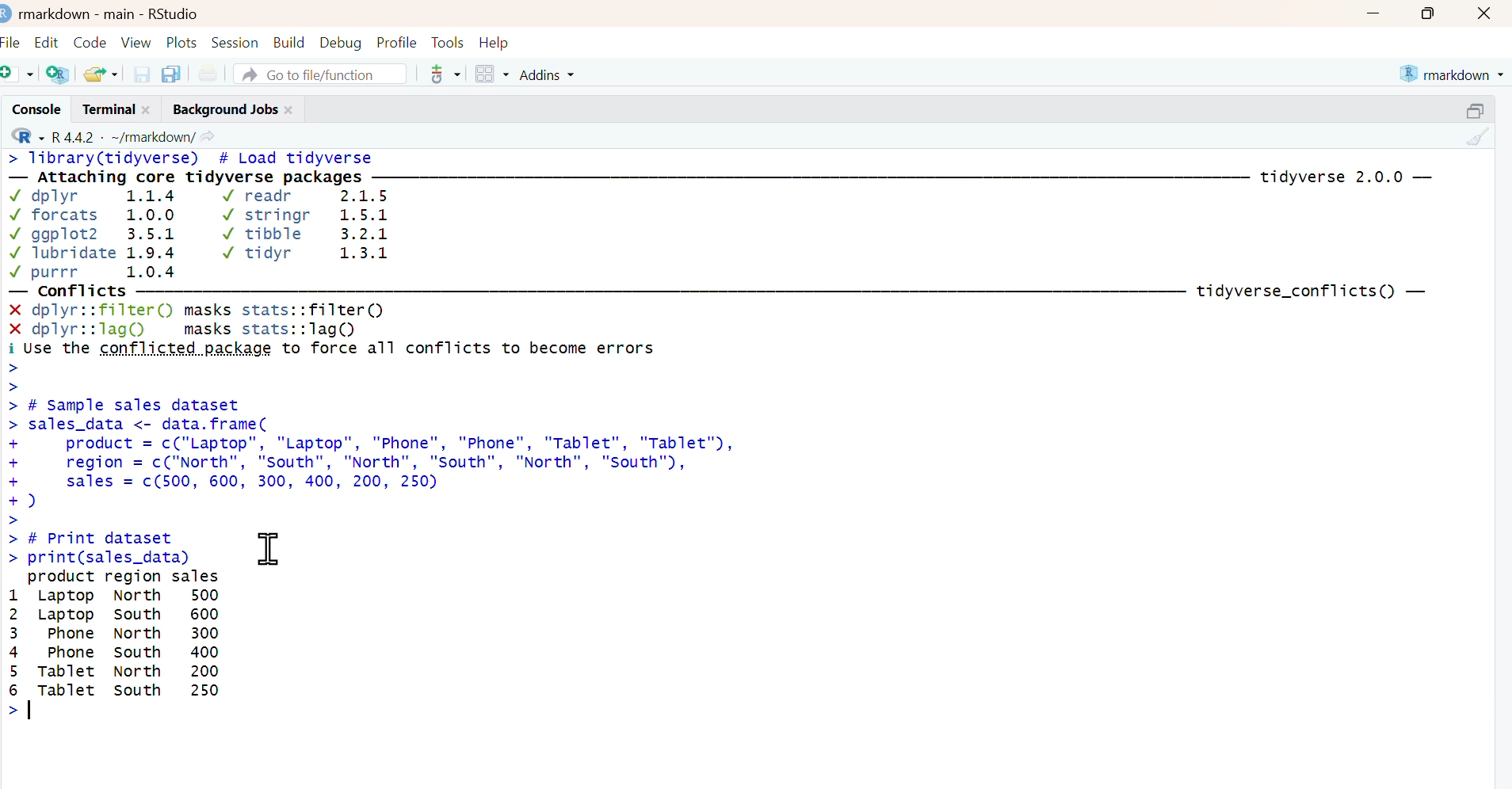 Image resolution: width=1512 pixels, height=789 pixels. What do you see at coordinates (208, 73) in the screenshot?
I see `Print current file` at bounding box center [208, 73].